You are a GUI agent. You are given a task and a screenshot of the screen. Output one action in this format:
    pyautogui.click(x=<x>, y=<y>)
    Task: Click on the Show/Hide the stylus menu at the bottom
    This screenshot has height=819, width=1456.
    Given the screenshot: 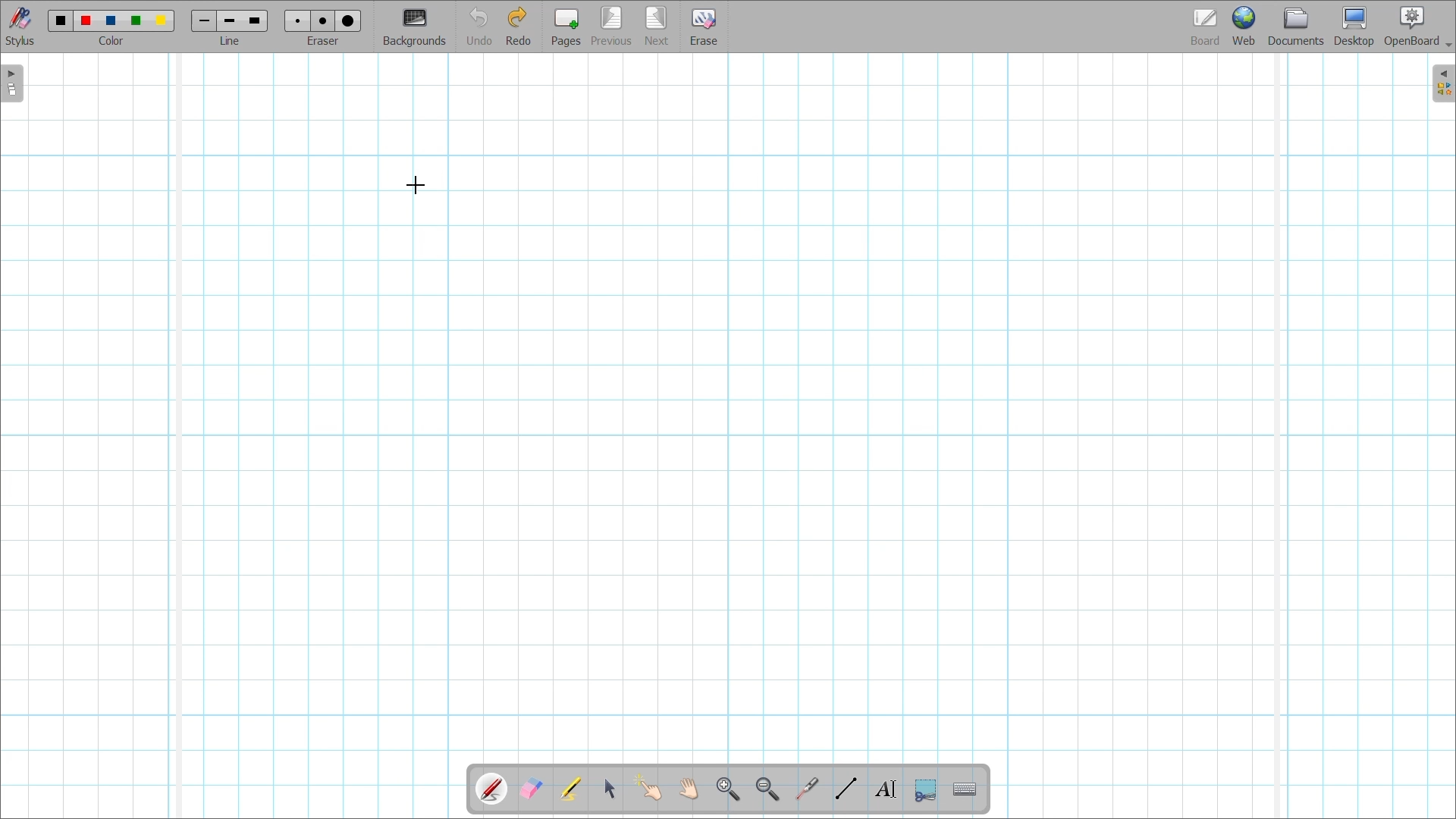 What is the action you would take?
    pyautogui.click(x=20, y=27)
    